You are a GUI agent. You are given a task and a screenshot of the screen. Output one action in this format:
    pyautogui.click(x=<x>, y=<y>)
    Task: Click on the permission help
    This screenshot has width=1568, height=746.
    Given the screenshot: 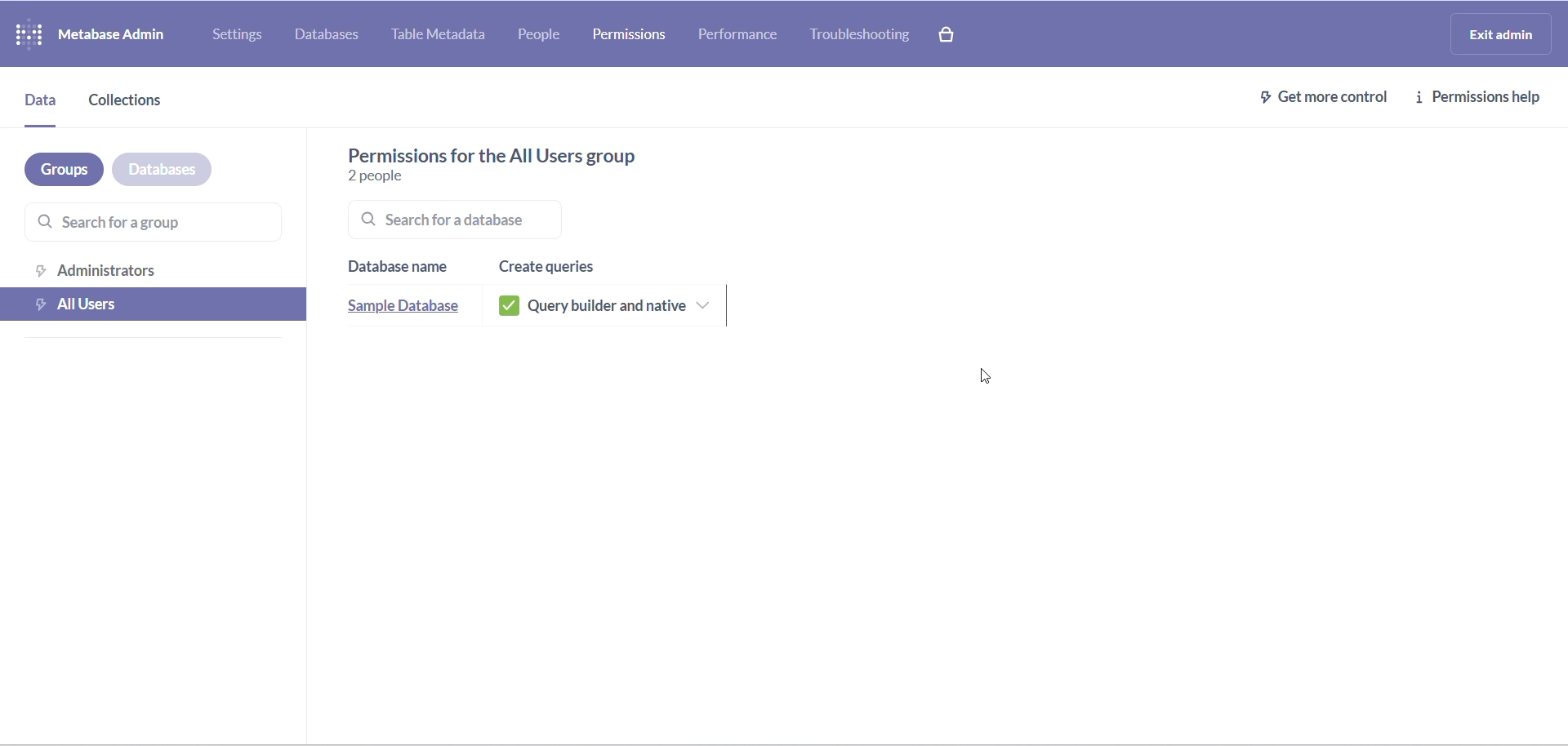 What is the action you would take?
    pyautogui.click(x=1483, y=97)
    